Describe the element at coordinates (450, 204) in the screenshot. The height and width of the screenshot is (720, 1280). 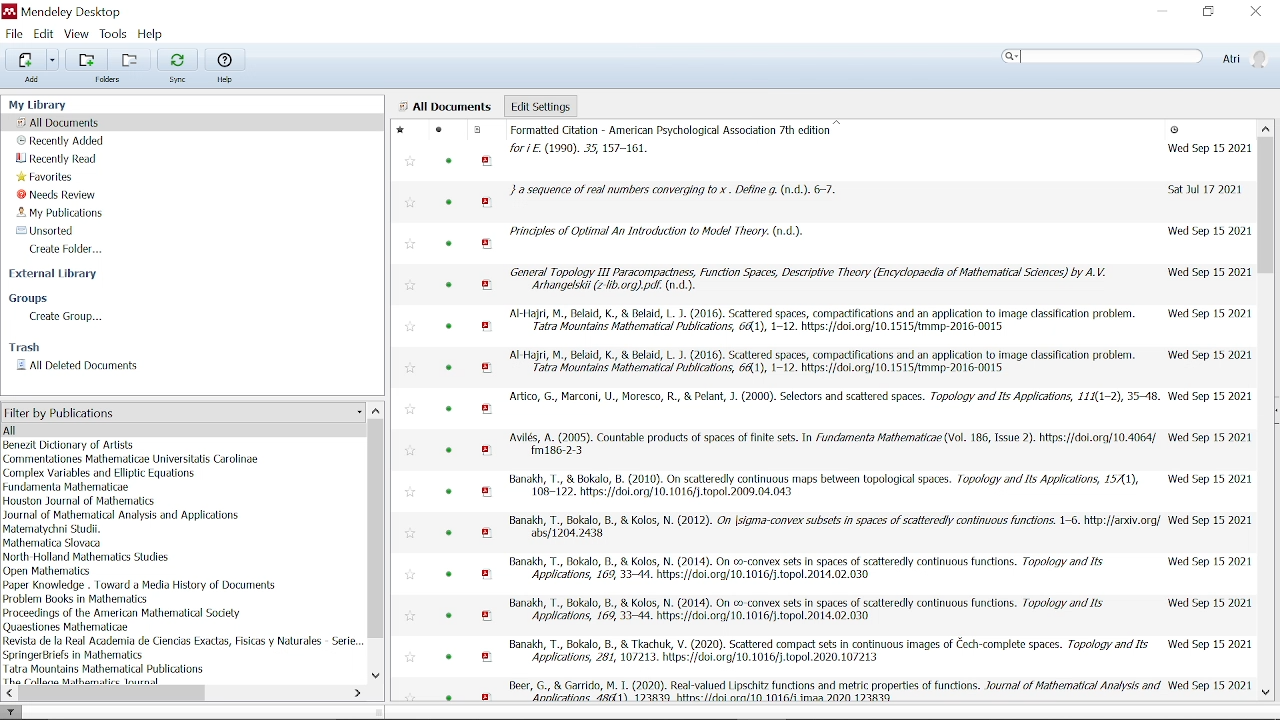
I see `read status` at that location.